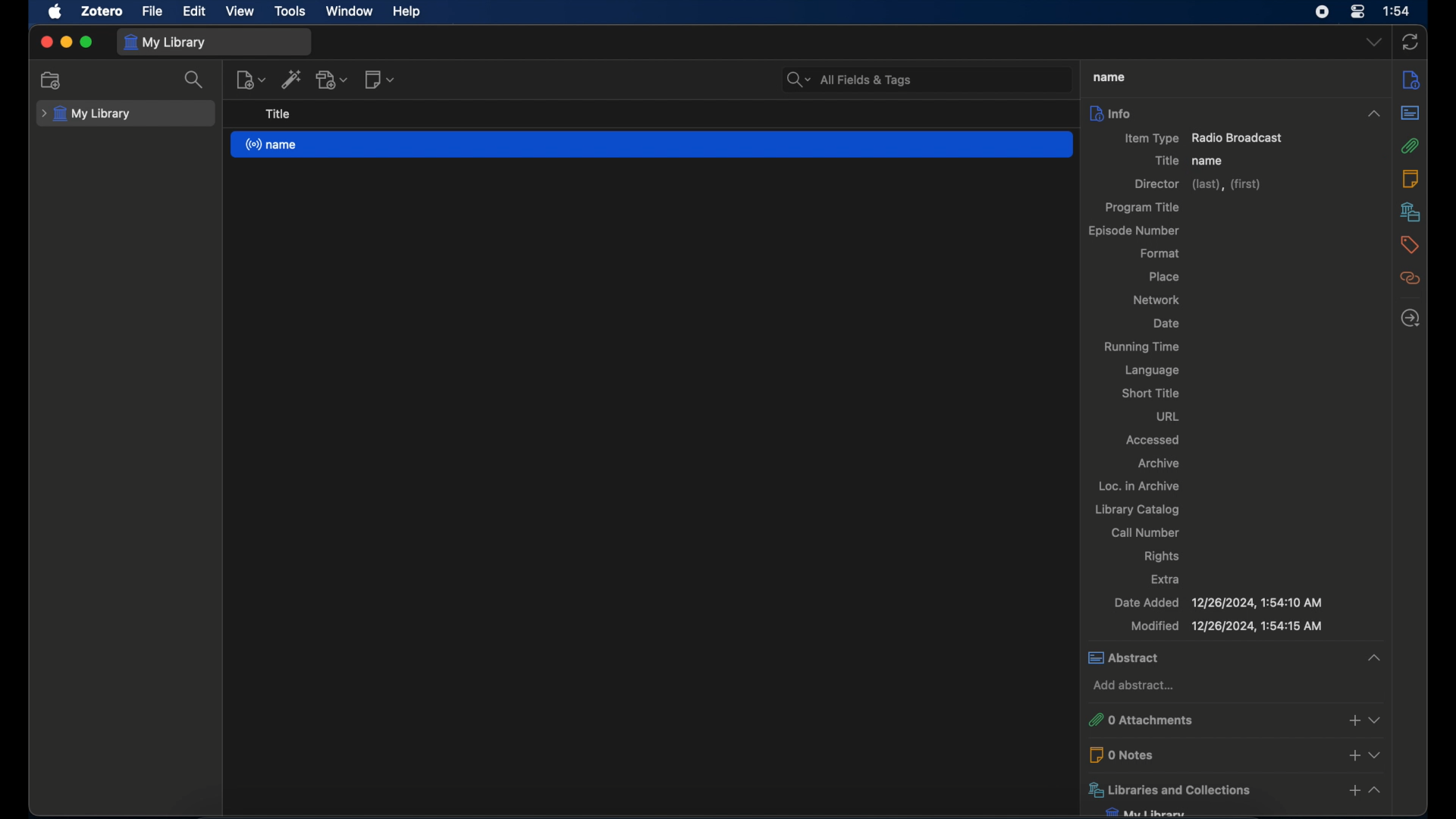 The image size is (1456, 819). What do you see at coordinates (1137, 686) in the screenshot?
I see `add abstract` at bounding box center [1137, 686].